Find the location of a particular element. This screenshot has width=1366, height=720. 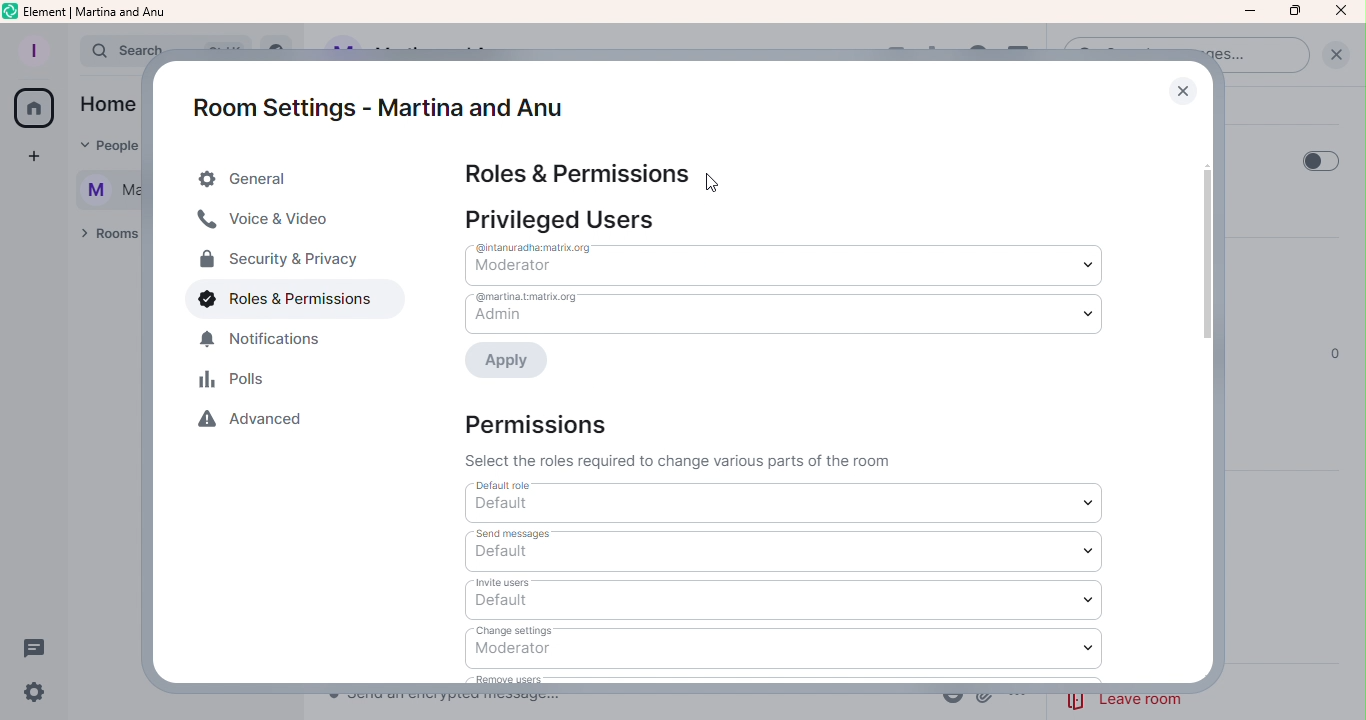

Polls is located at coordinates (237, 382).